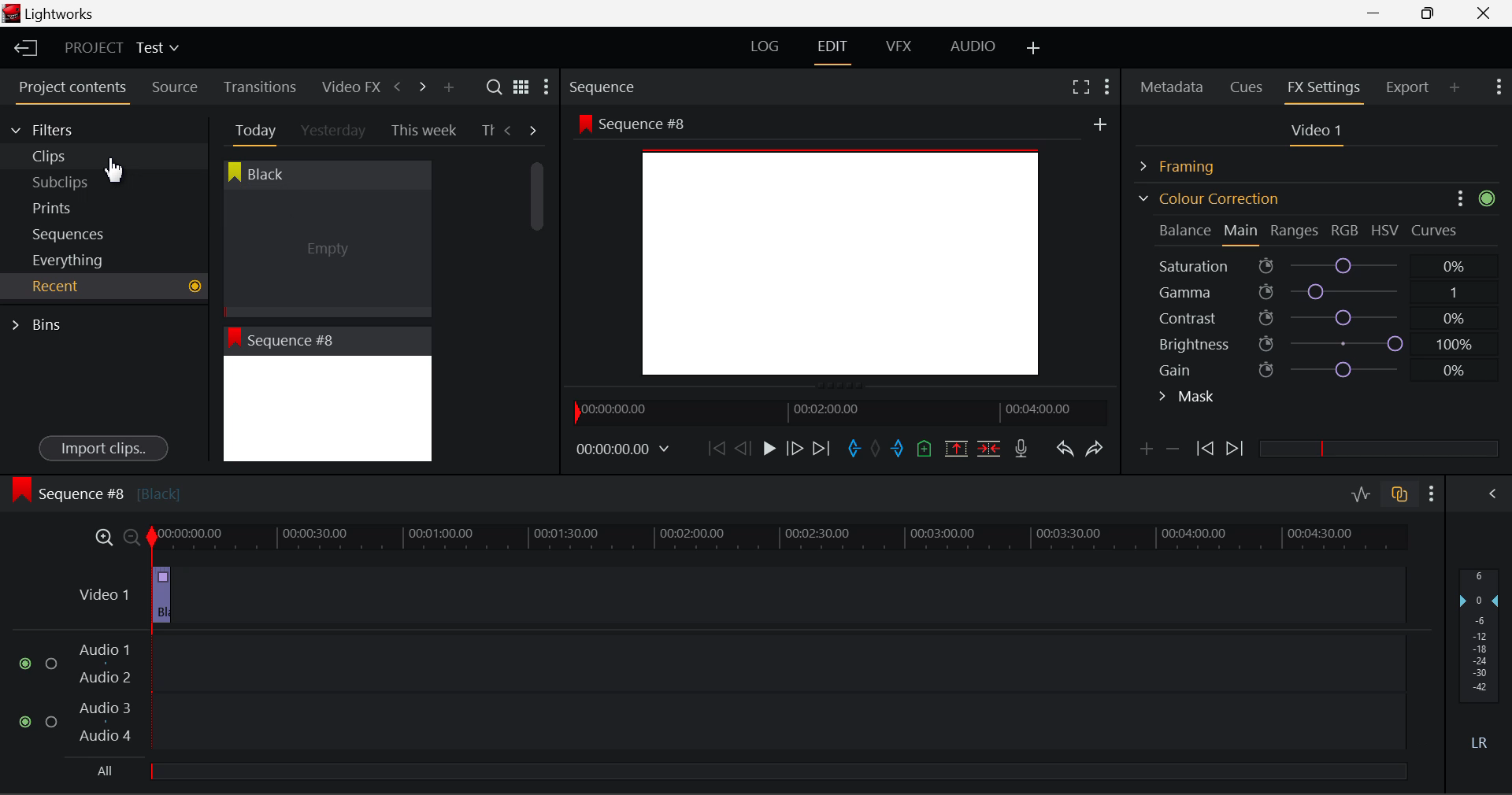  I want to click on Project Timeline Navigator, so click(838, 412).